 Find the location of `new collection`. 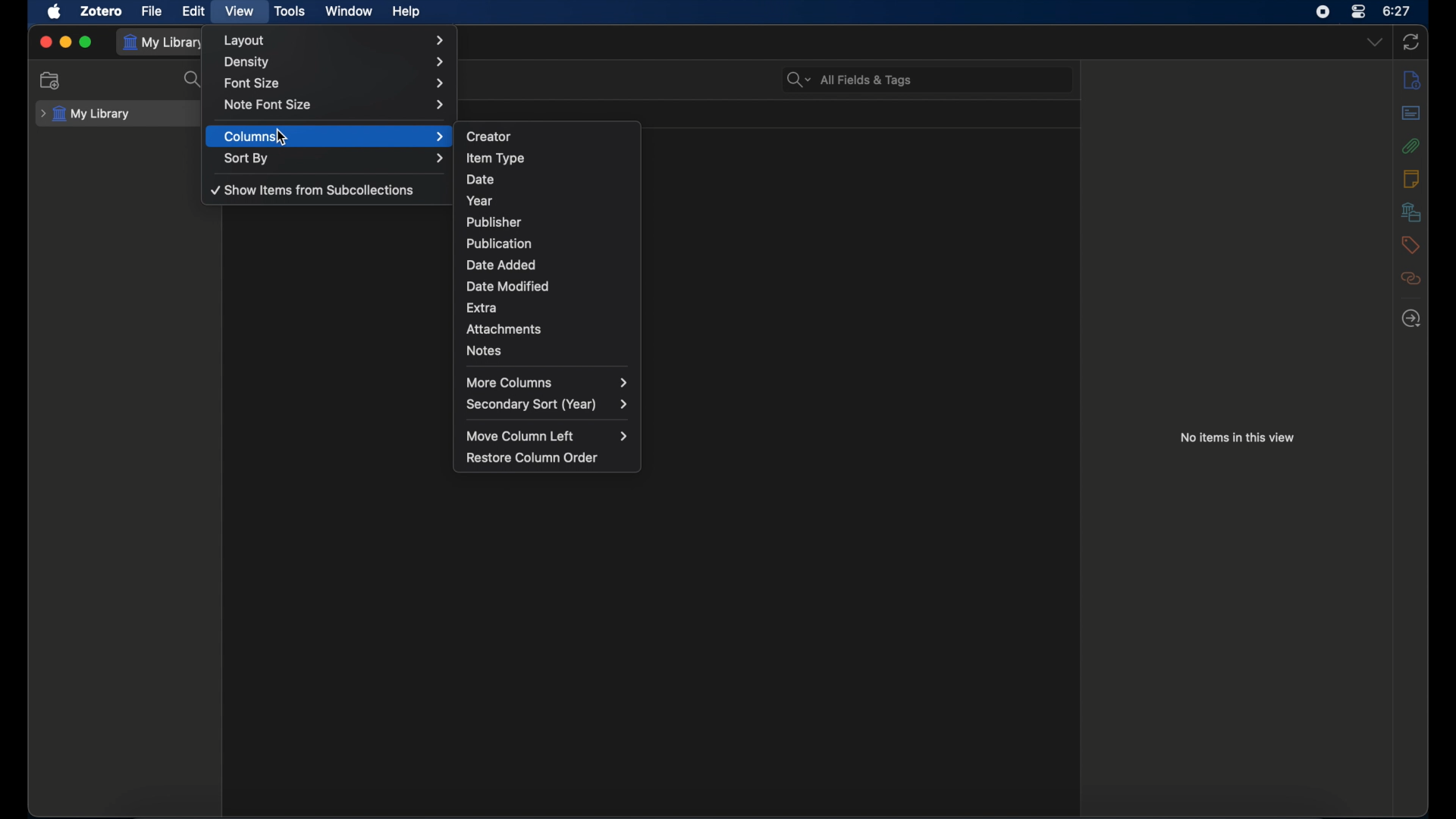

new collection is located at coordinates (51, 81).